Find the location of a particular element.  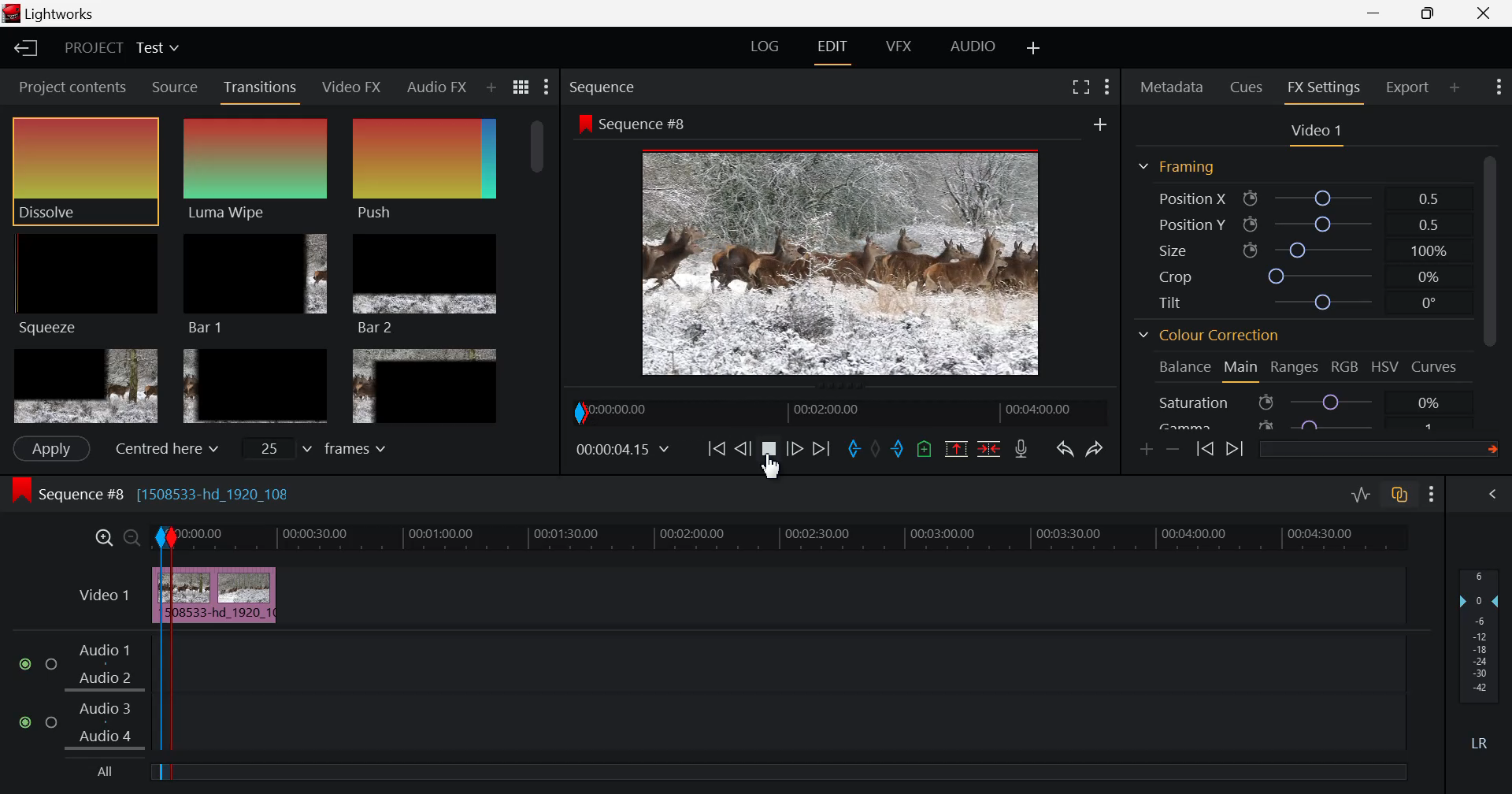

Record Voiceover is located at coordinates (1021, 449).